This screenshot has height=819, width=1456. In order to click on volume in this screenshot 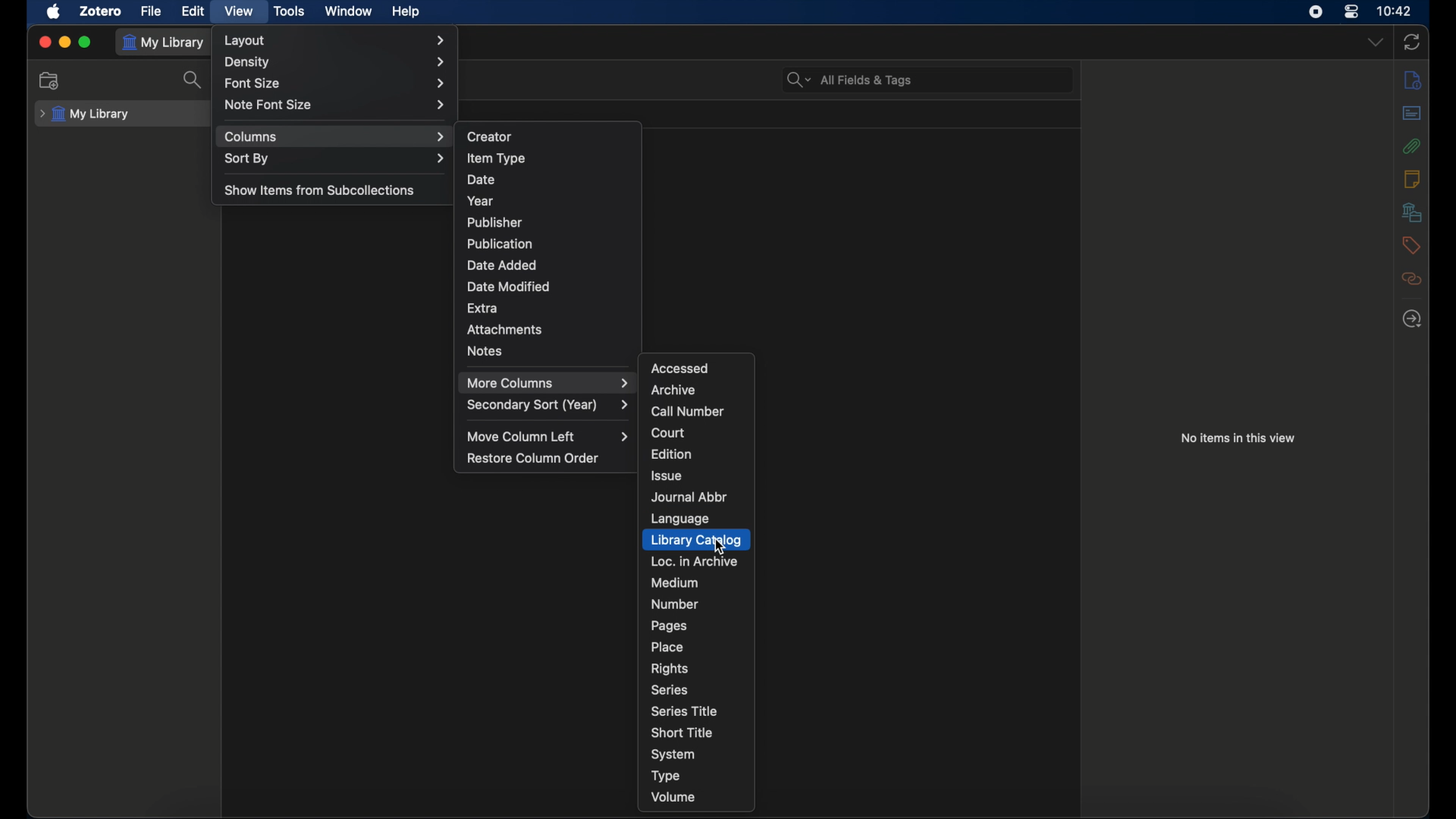, I will do `click(674, 797)`.